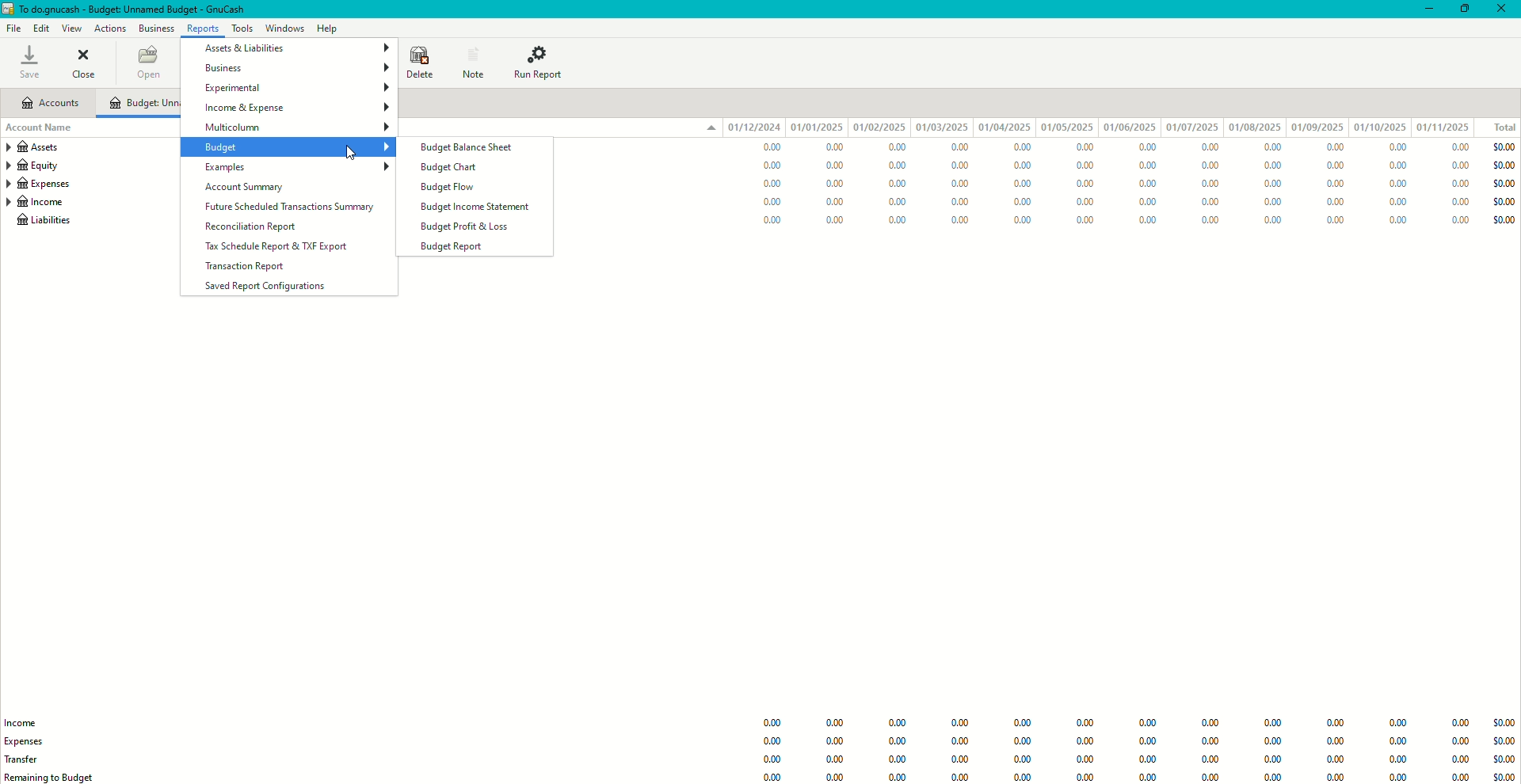  What do you see at coordinates (149, 63) in the screenshot?
I see `Open` at bounding box center [149, 63].